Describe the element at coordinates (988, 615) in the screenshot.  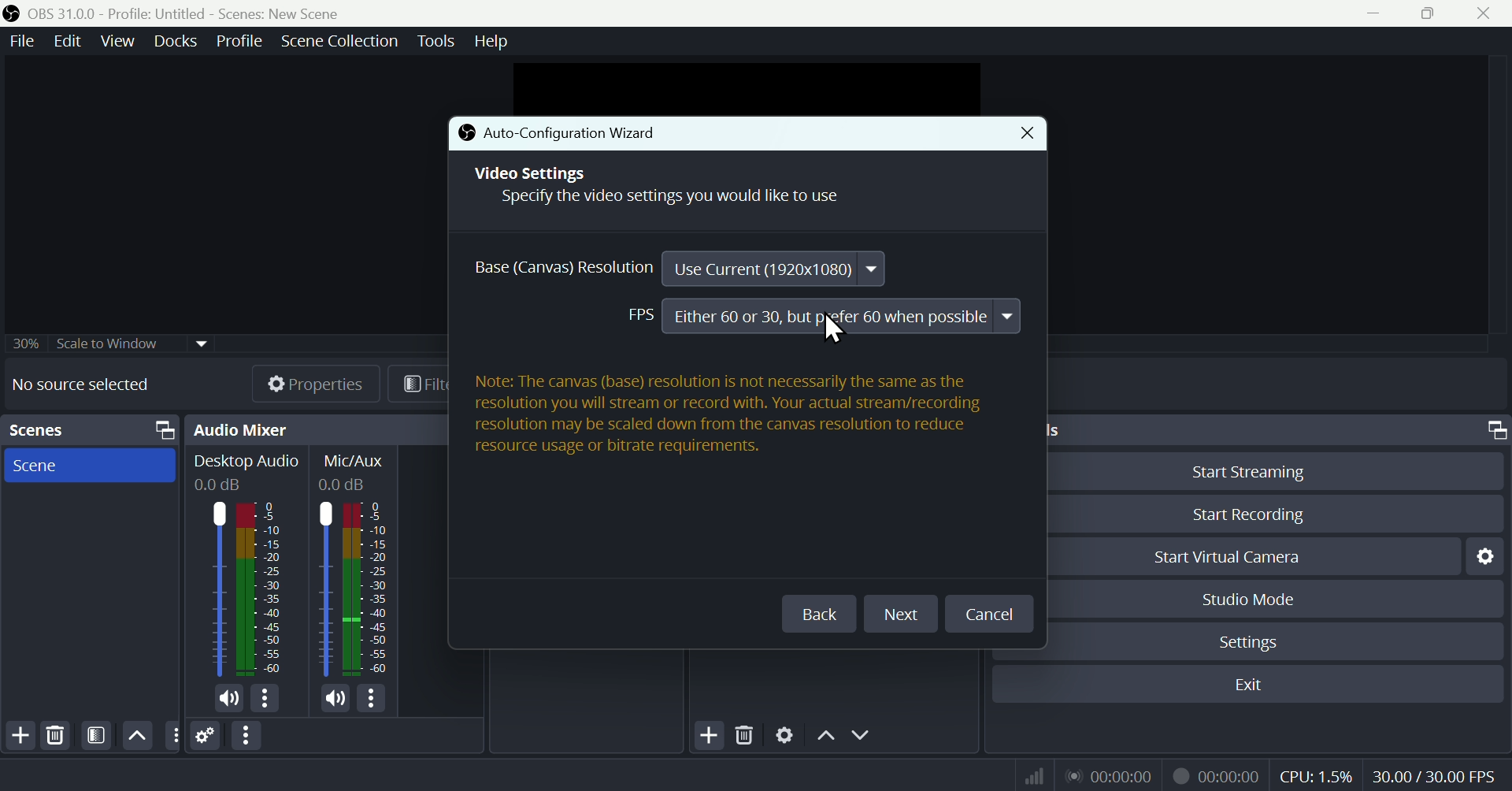
I see `Cancel` at that location.